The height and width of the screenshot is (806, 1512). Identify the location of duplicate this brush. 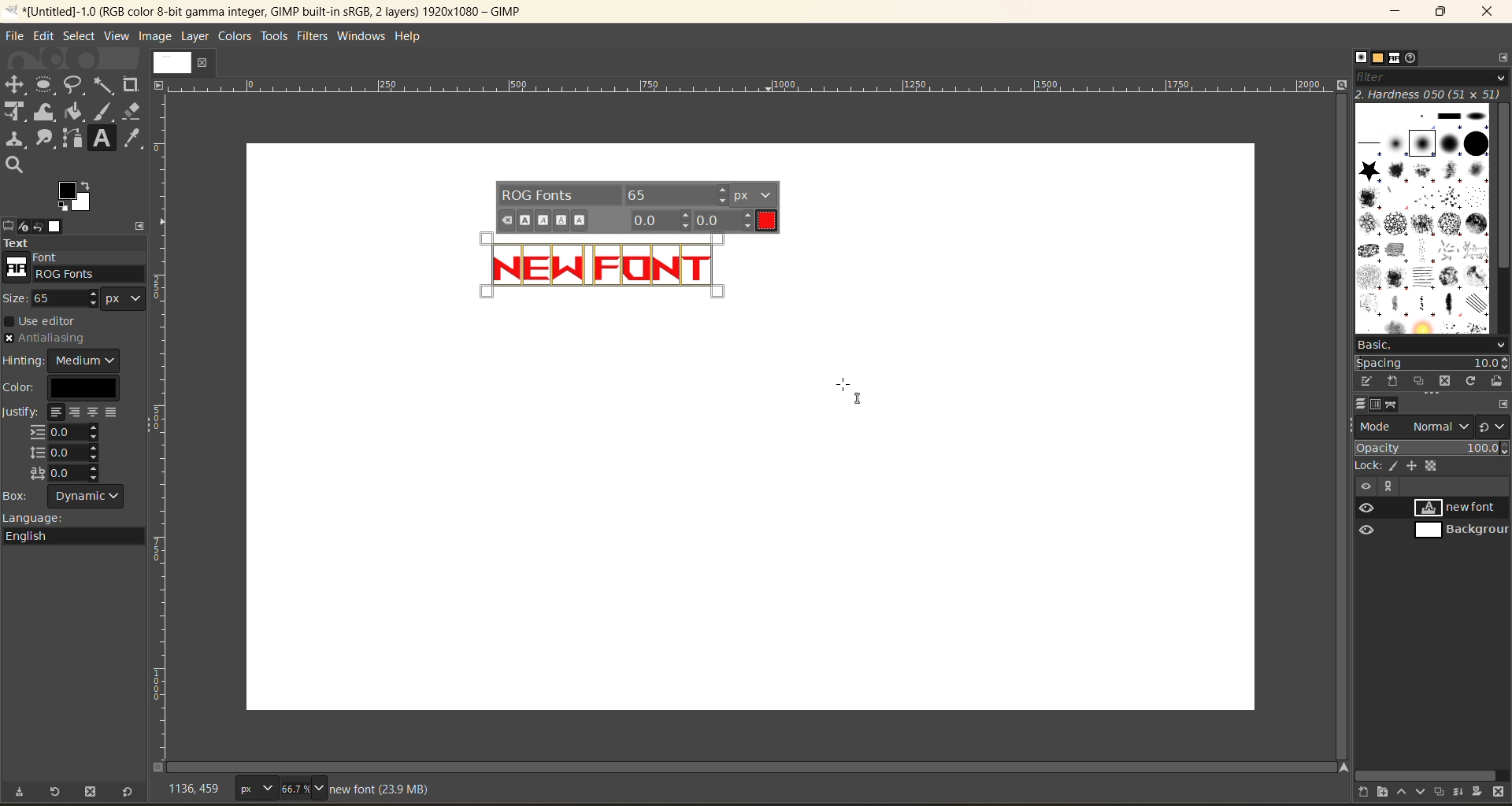
(1422, 381).